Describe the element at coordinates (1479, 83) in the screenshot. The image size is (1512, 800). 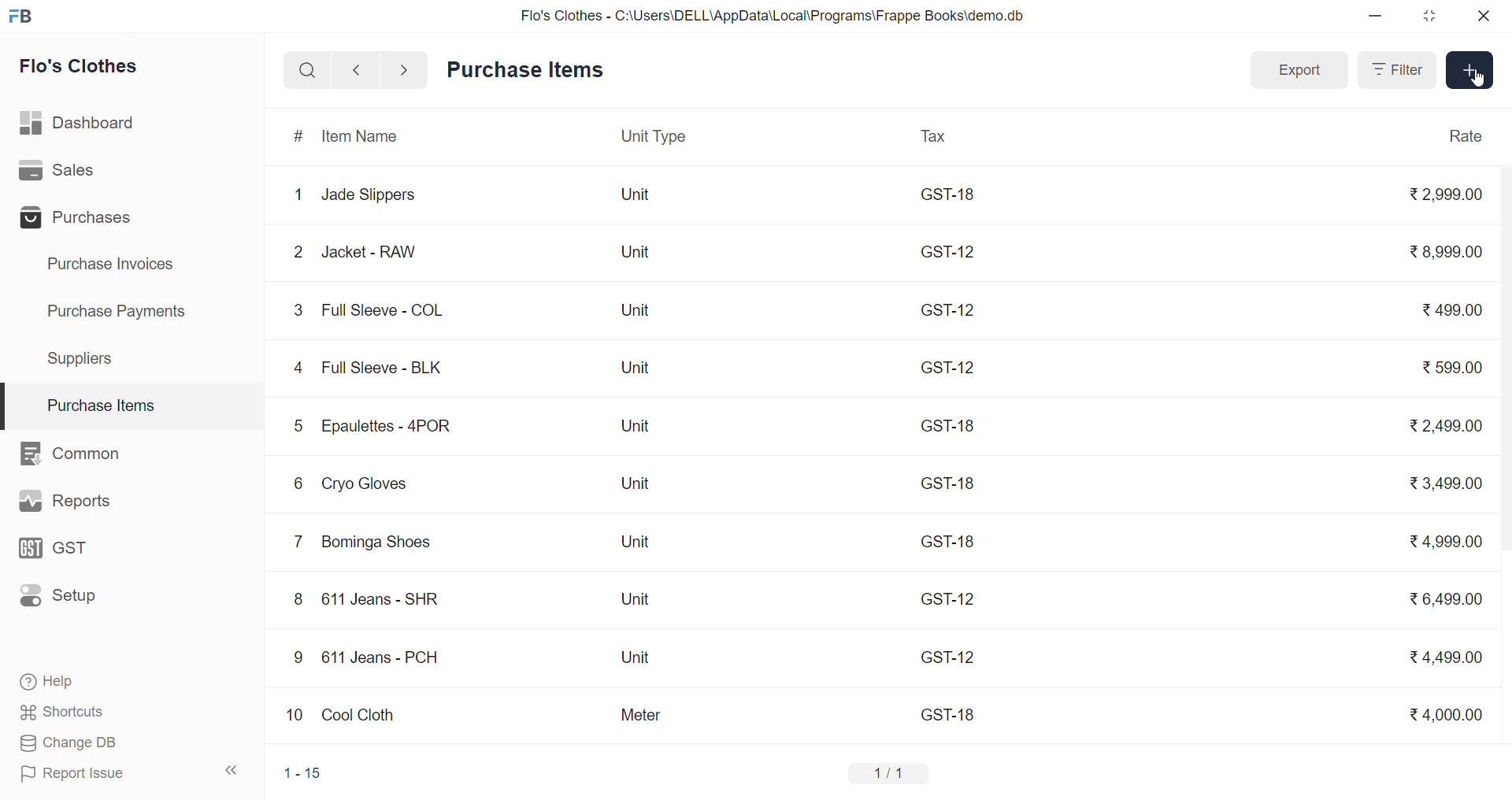
I see `cursor` at that location.